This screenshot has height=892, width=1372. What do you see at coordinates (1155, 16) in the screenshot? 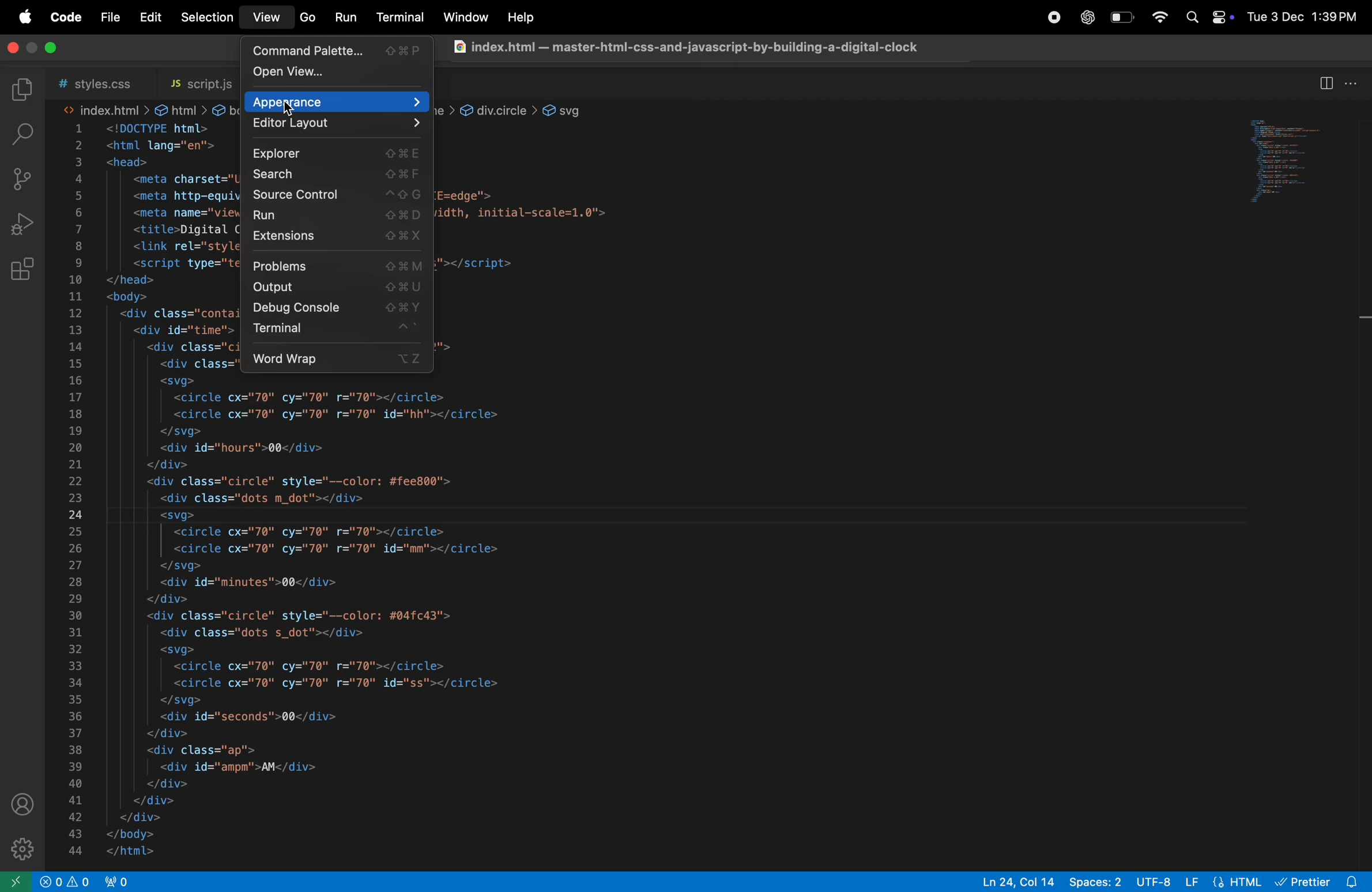
I see `wifi` at bounding box center [1155, 16].